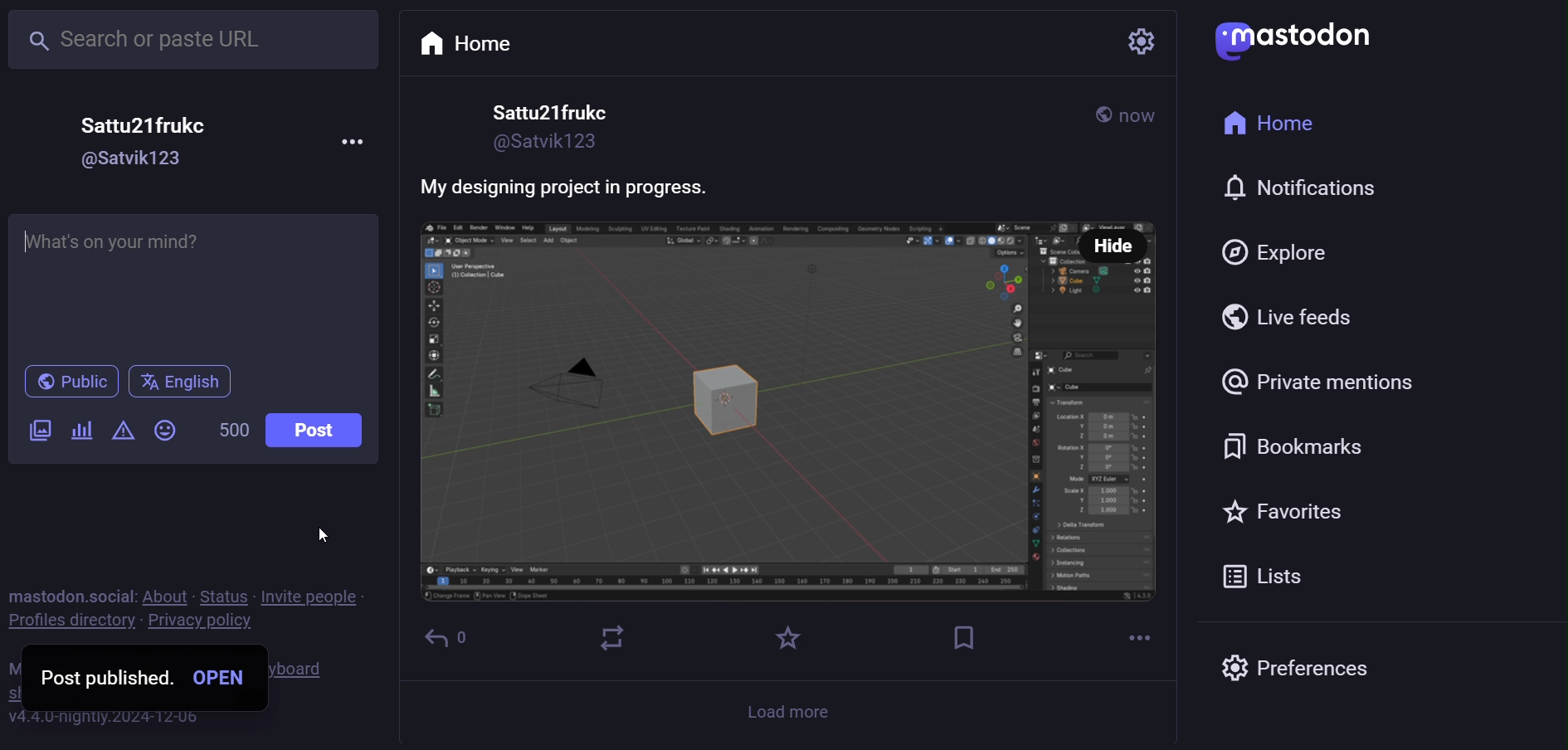  I want to click on preferences, so click(1307, 665).